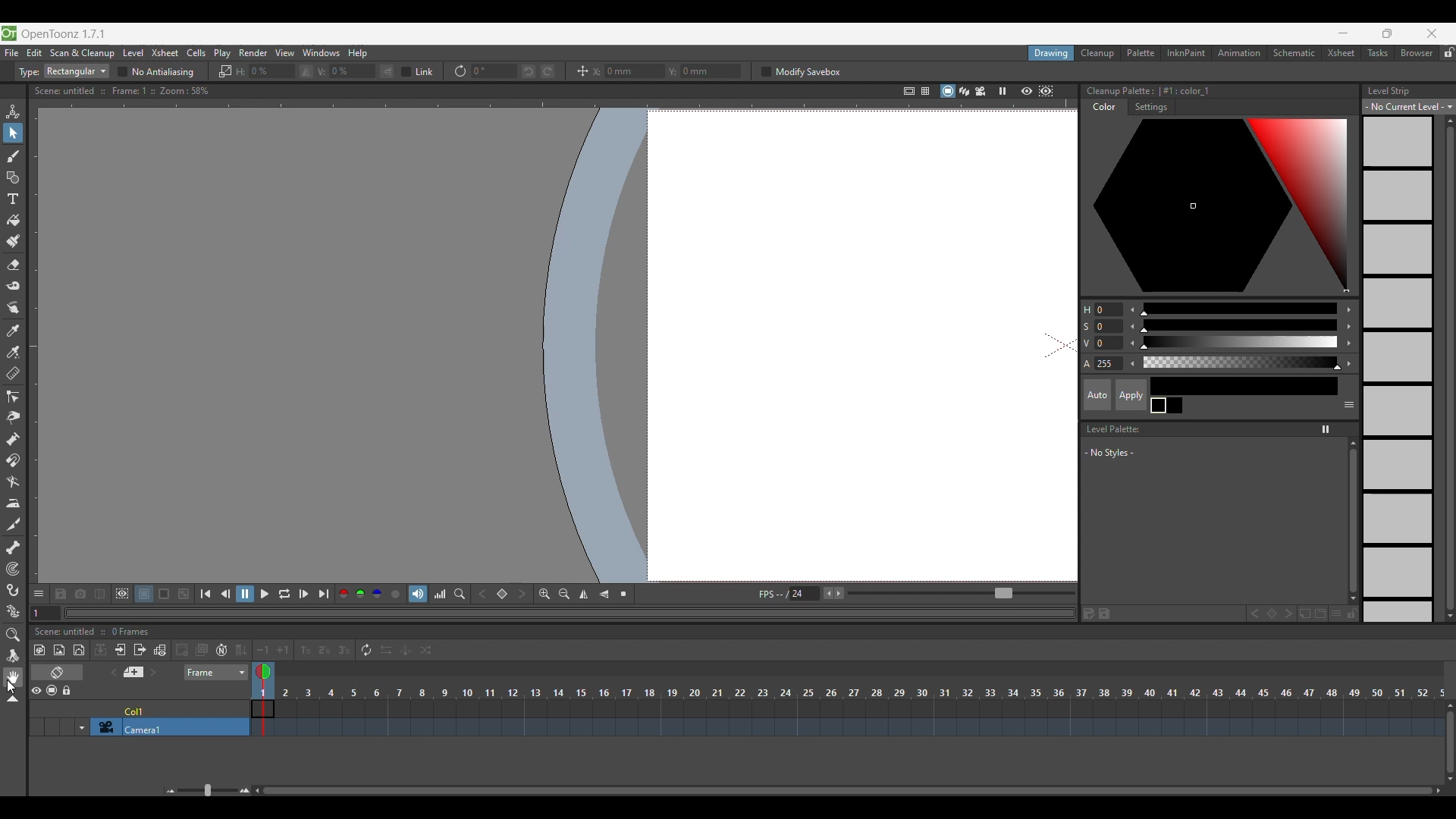  Describe the element at coordinates (1306, 613) in the screenshot. I see `New page` at that location.